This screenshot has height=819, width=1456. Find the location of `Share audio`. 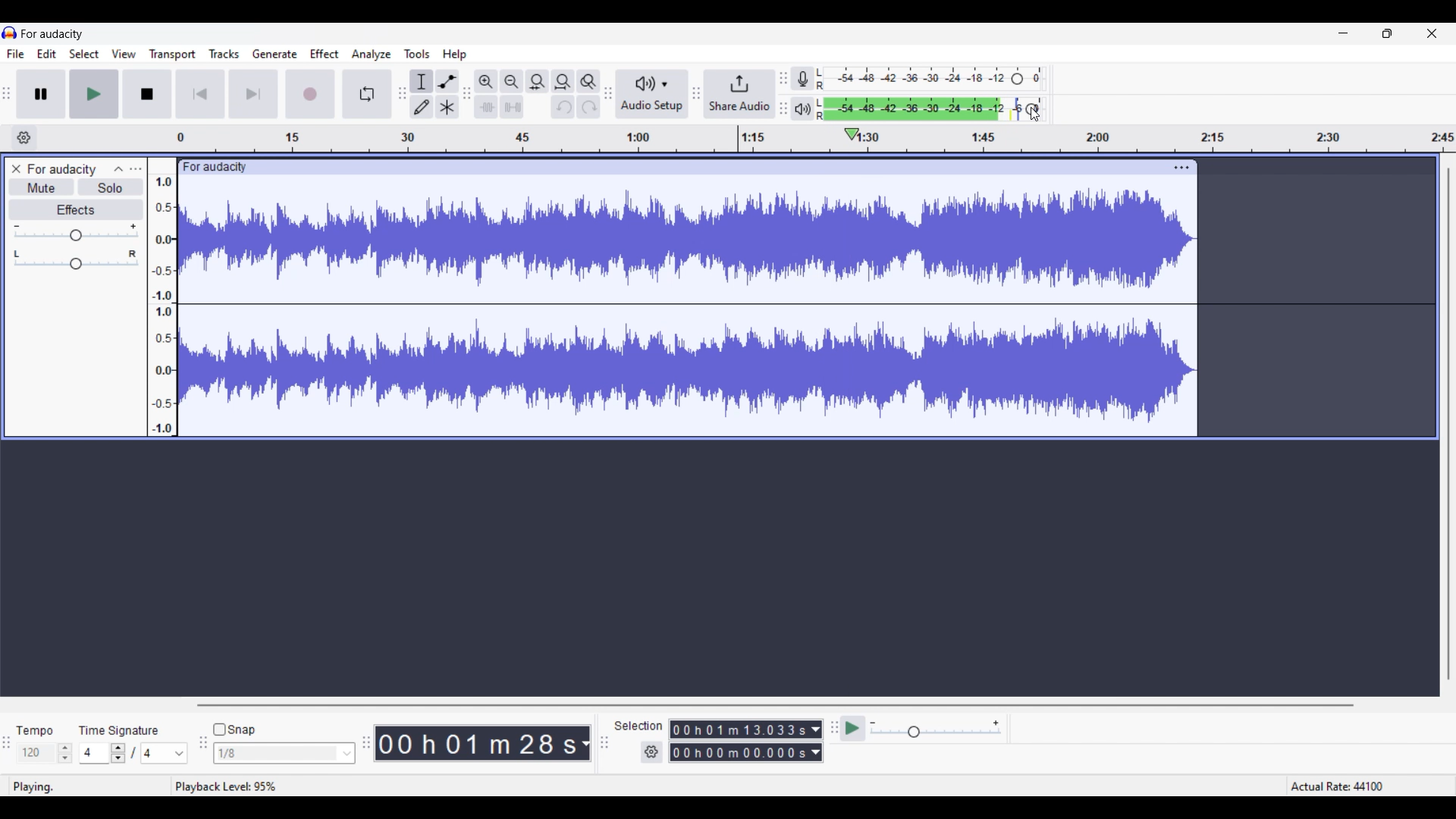

Share audio is located at coordinates (739, 94).